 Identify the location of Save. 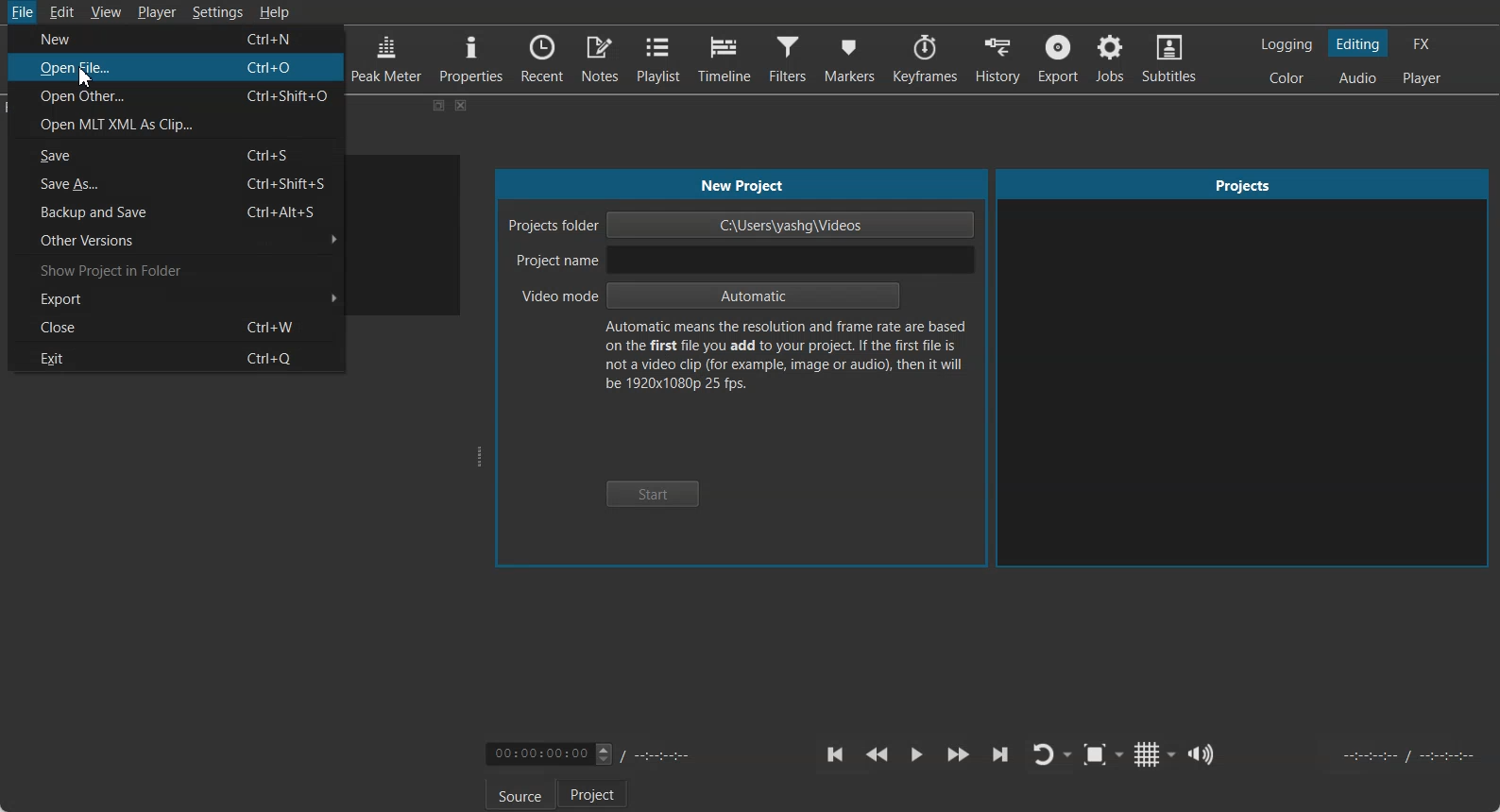
(110, 154).